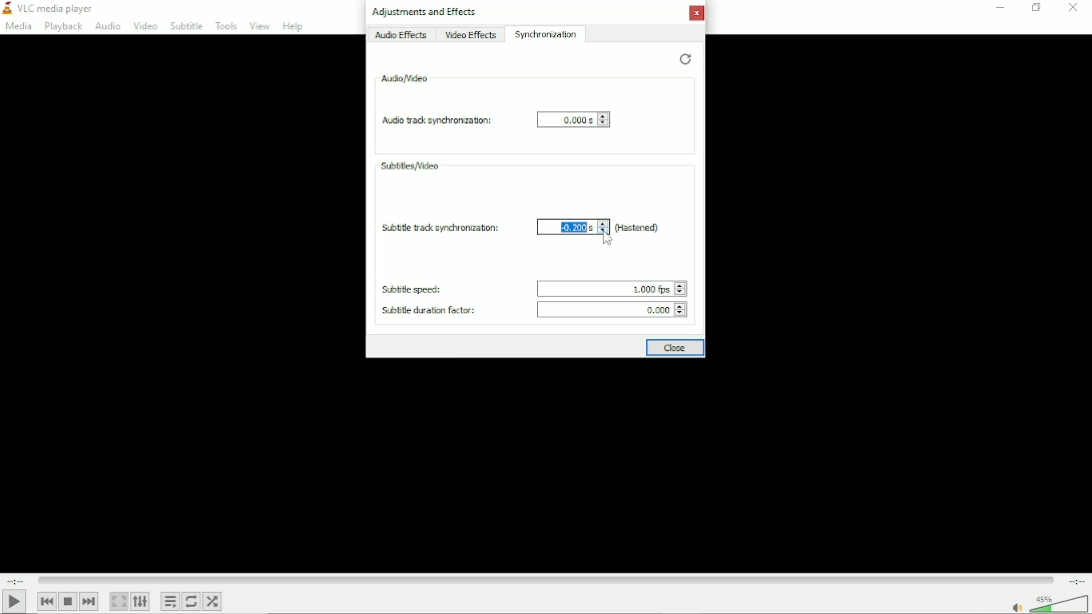 Image resolution: width=1092 pixels, height=614 pixels. Describe the element at coordinates (609, 286) in the screenshot. I see `1.000 fps` at that location.